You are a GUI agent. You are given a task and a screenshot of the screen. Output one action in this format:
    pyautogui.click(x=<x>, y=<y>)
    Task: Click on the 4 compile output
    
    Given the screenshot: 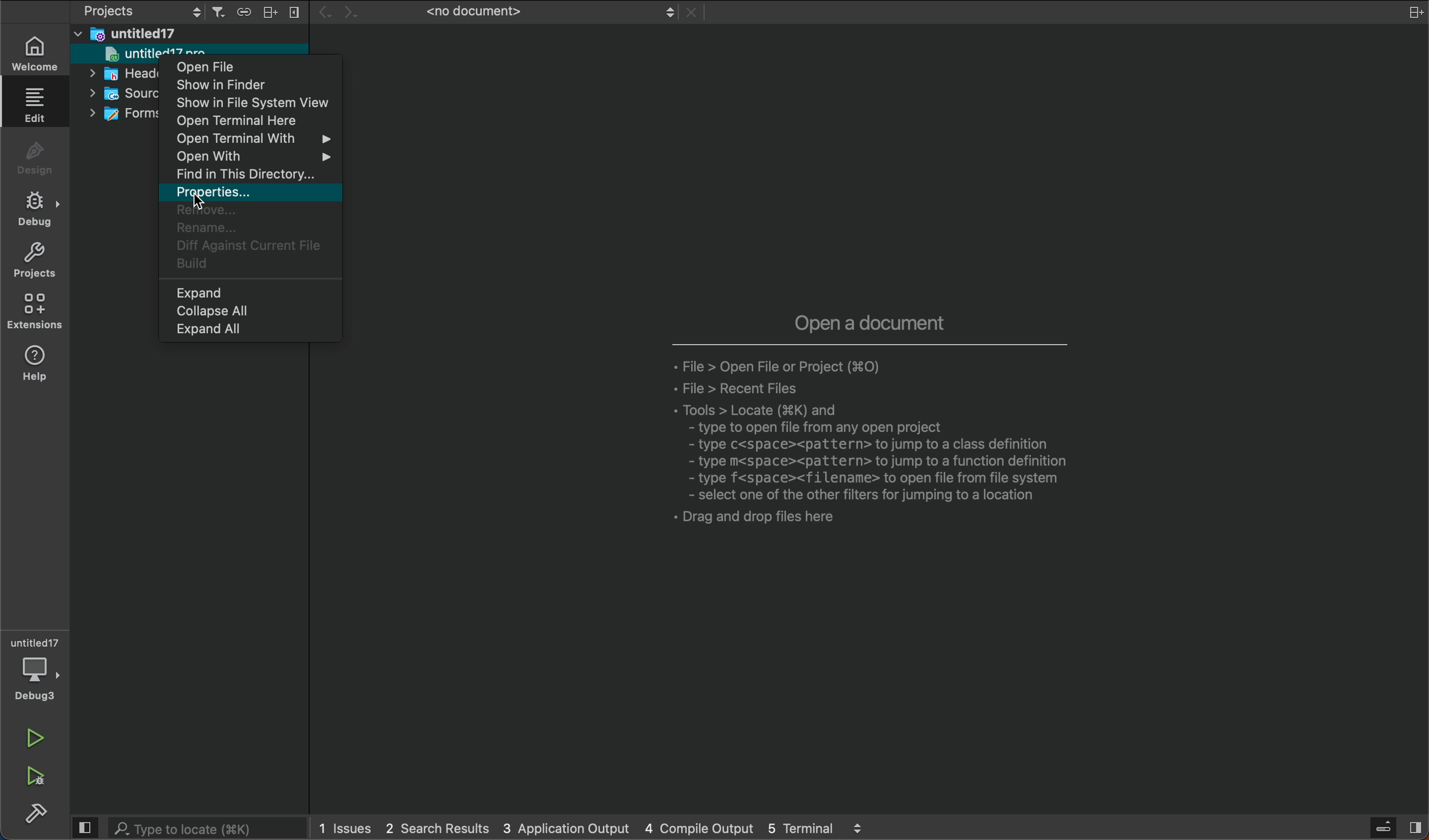 What is the action you would take?
    pyautogui.click(x=703, y=828)
    